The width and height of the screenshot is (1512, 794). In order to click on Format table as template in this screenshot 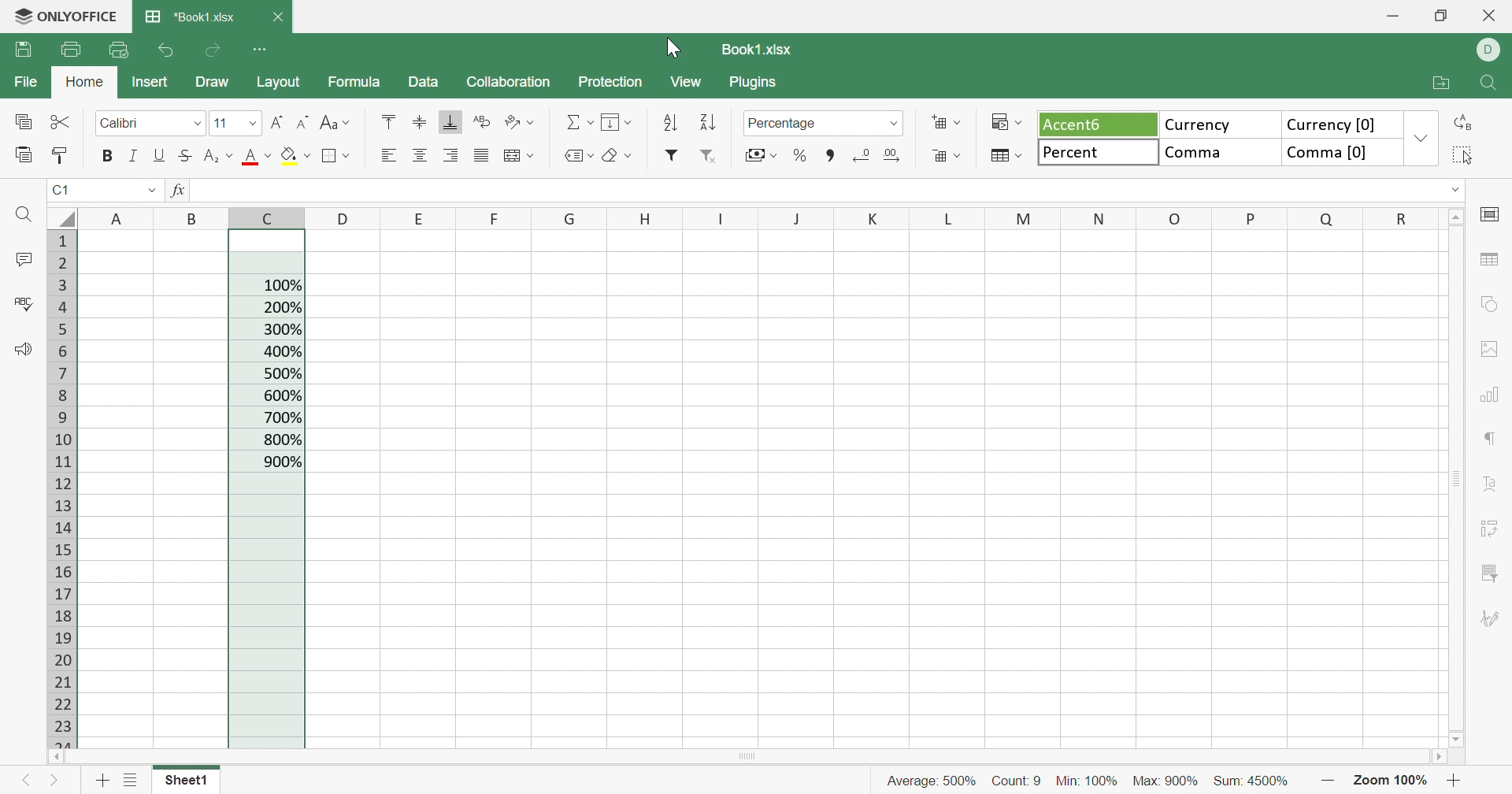, I will do `click(1006, 158)`.